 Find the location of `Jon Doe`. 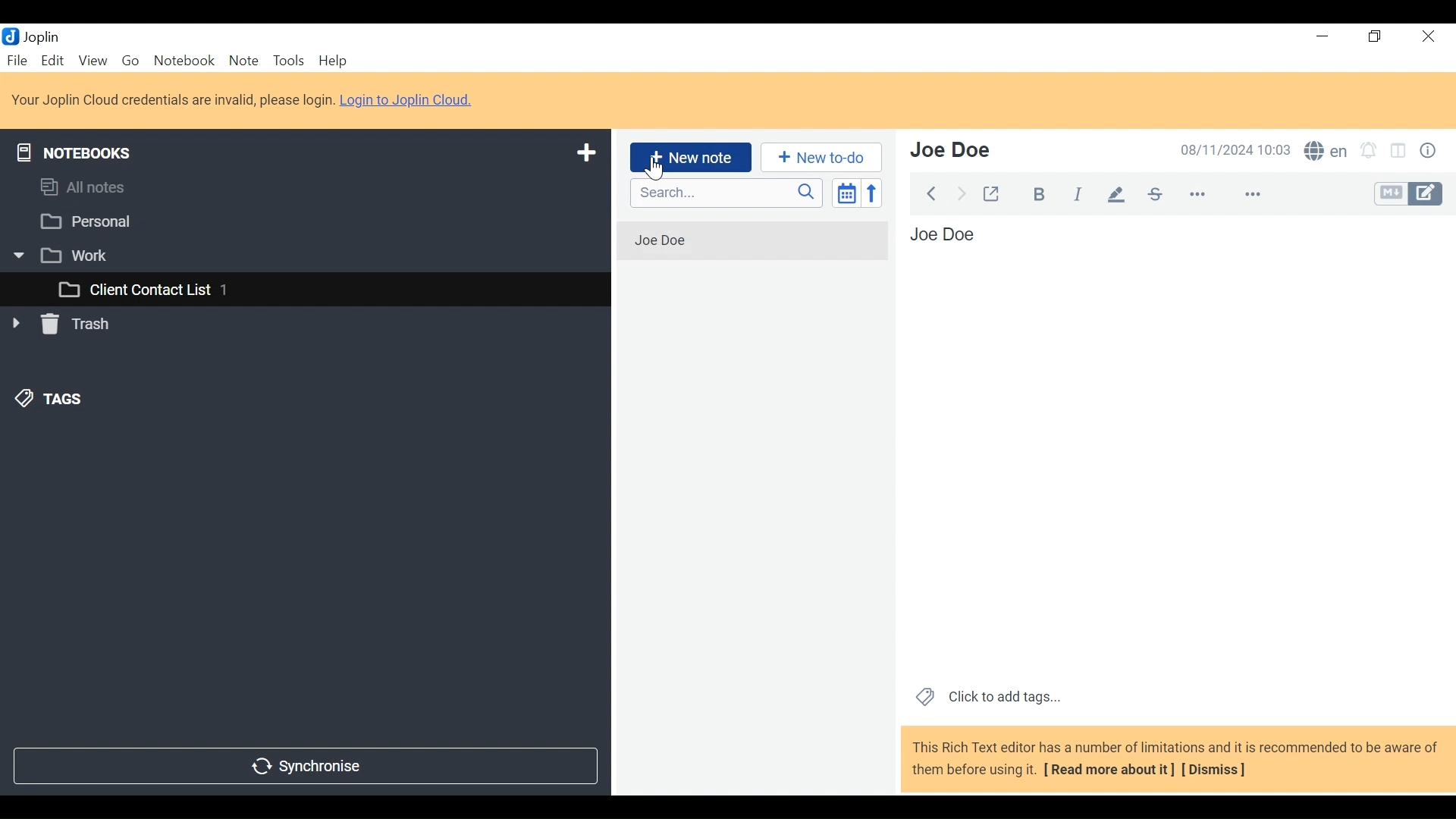

Jon Doe is located at coordinates (1022, 150).